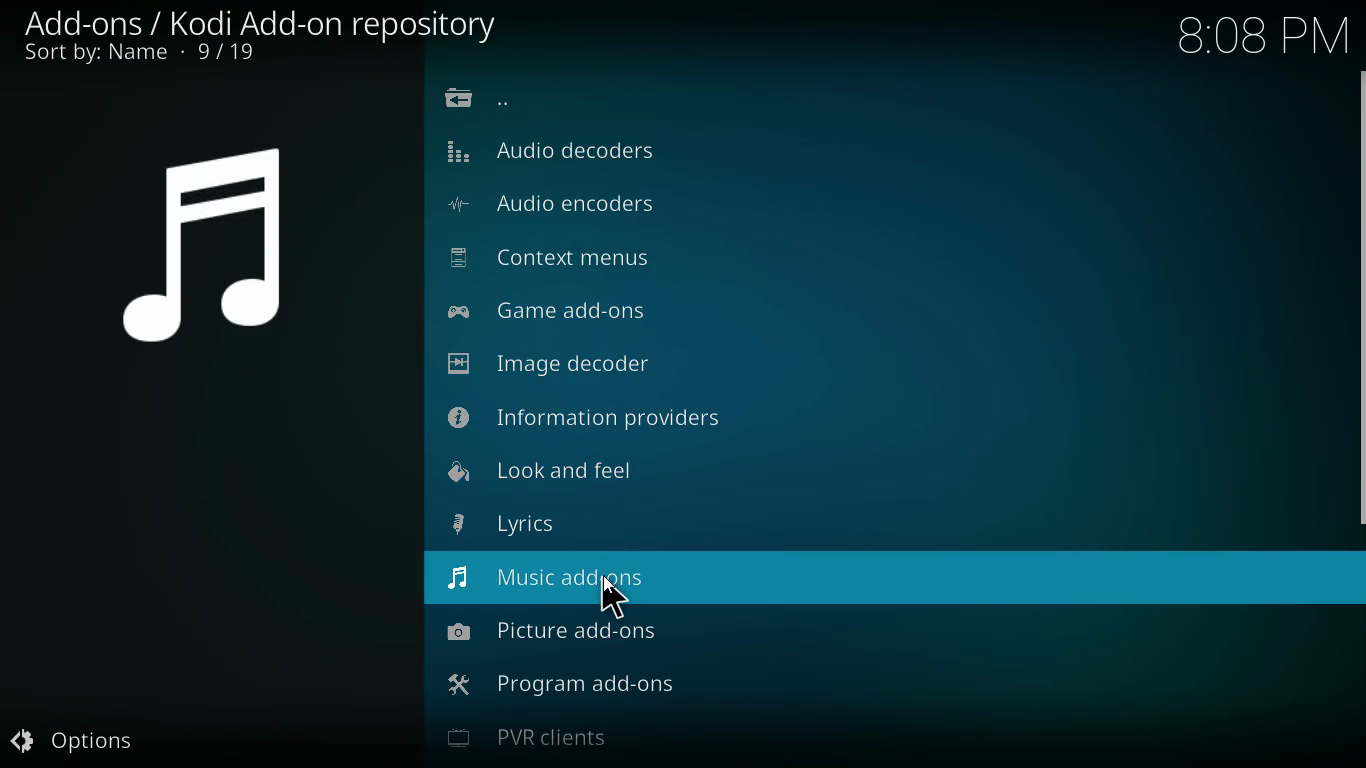 The height and width of the screenshot is (768, 1366). I want to click on PVR clients, so click(532, 736).